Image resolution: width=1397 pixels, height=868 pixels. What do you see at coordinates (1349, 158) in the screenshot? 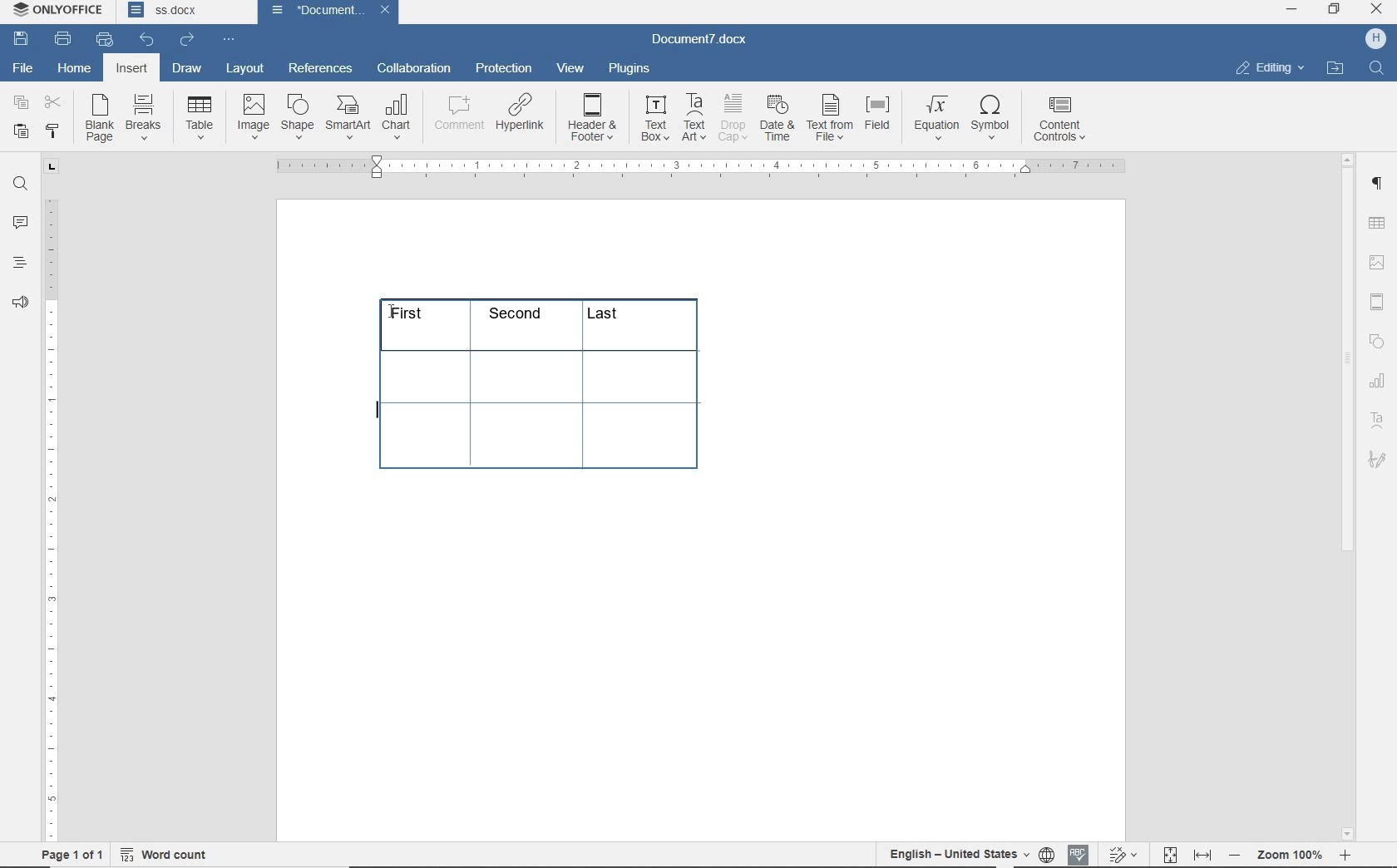
I see `scroll up` at bounding box center [1349, 158].